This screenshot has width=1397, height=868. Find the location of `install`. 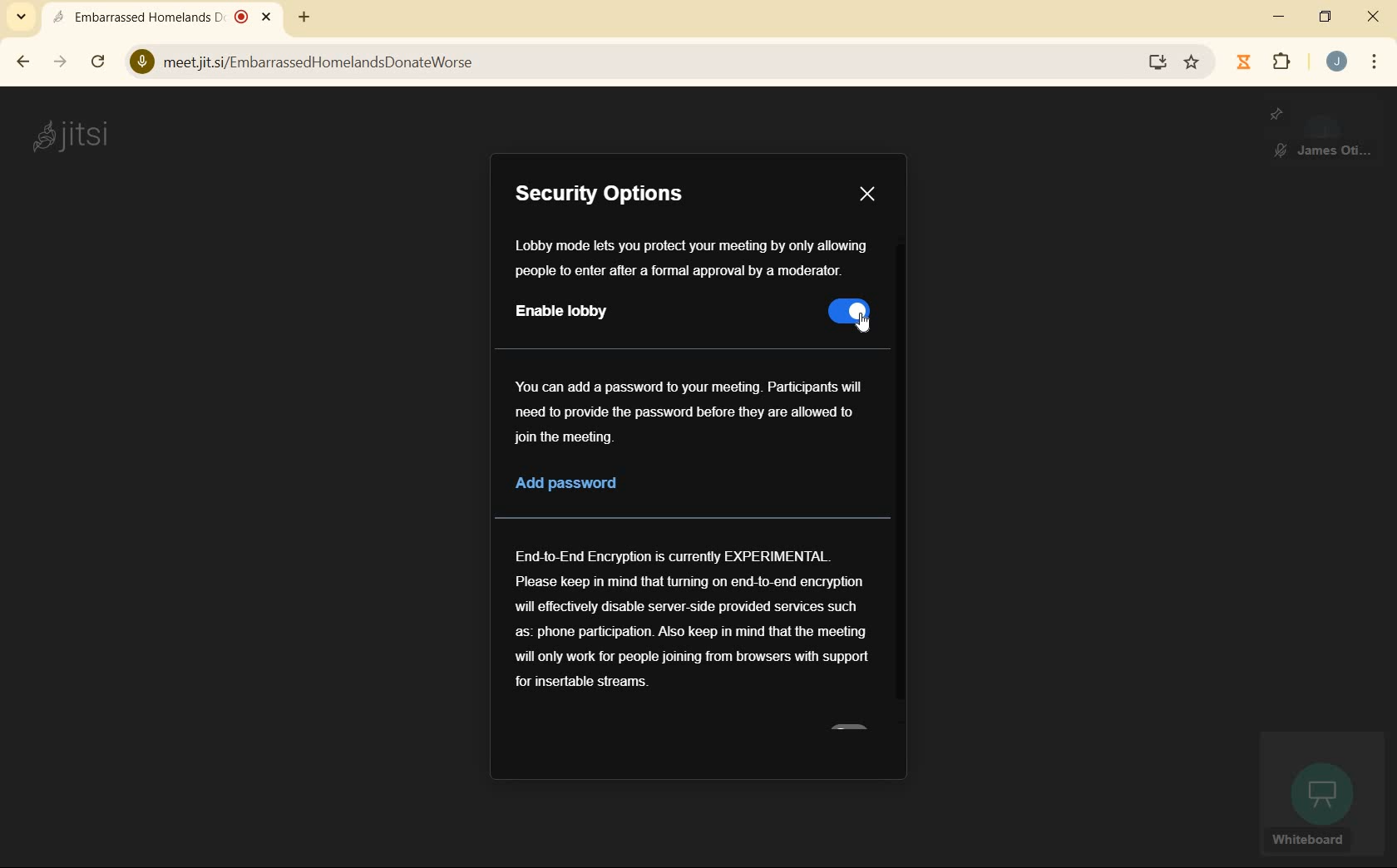

install is located at coordinates (1158, 62).